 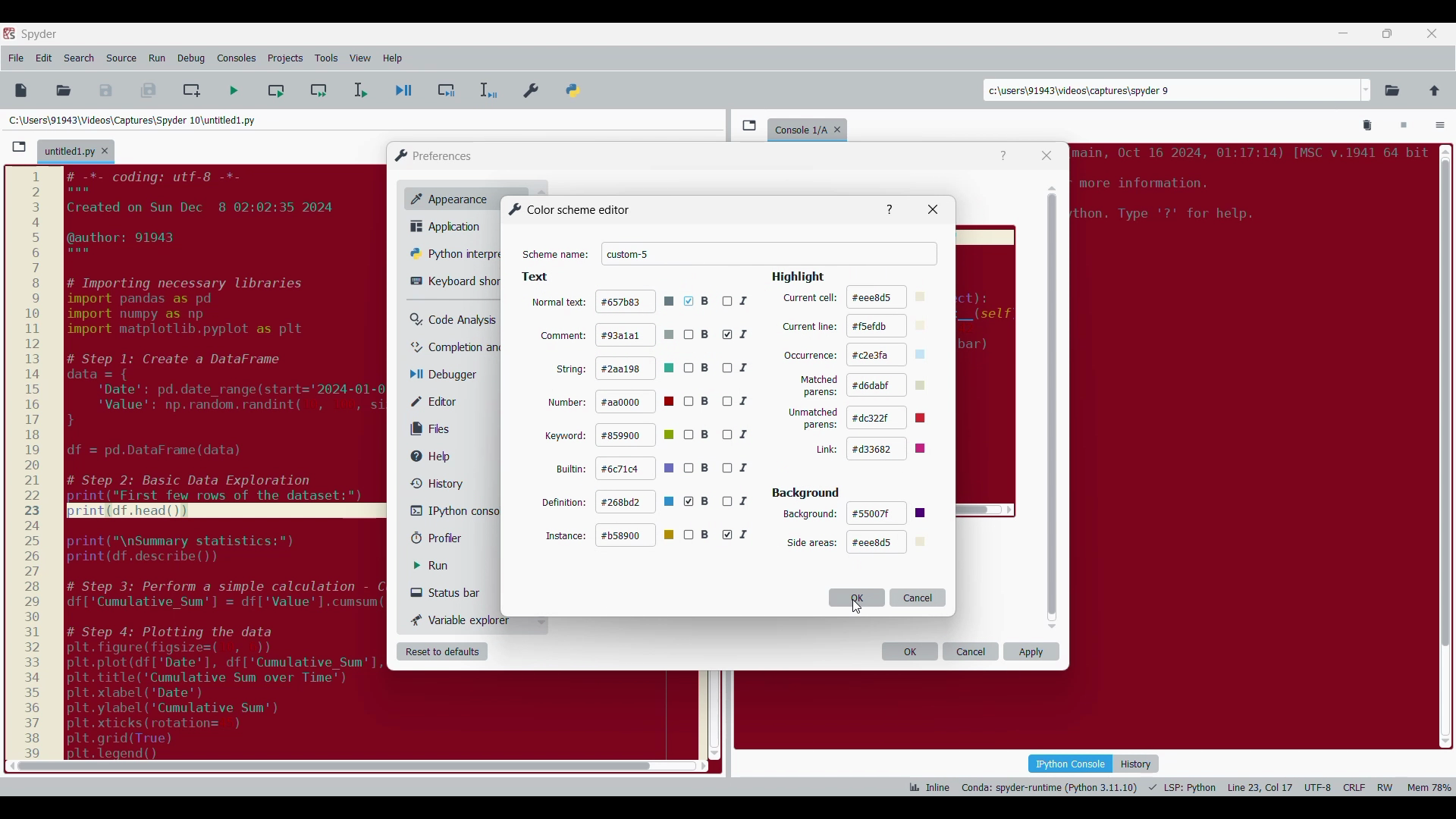 What do you see at coordinates (447, 90) in the screenshot?
I see `Debug cell` at bounding box center [447, 90].